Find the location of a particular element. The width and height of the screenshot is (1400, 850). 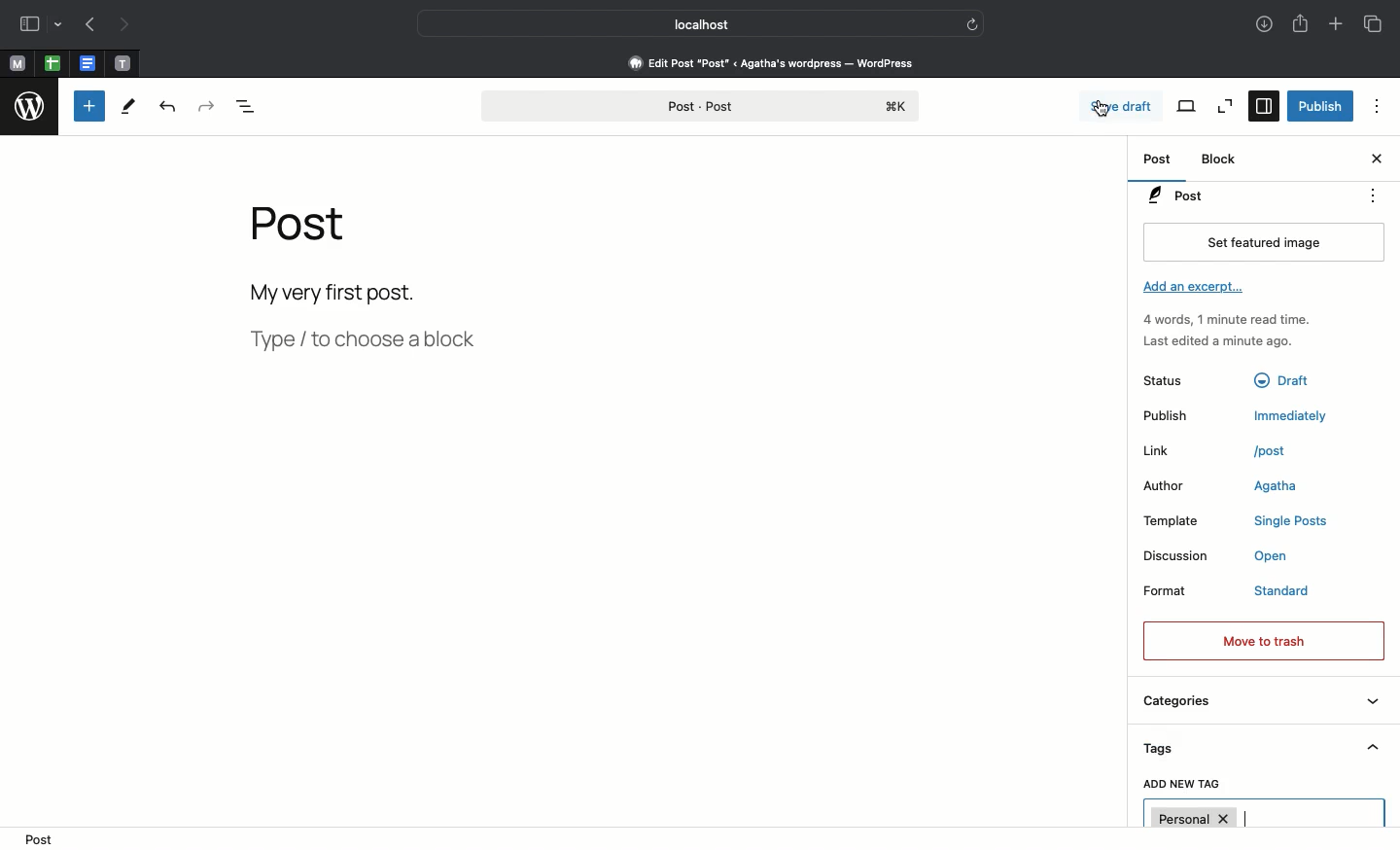

Post is located at coordinates (704, 102).